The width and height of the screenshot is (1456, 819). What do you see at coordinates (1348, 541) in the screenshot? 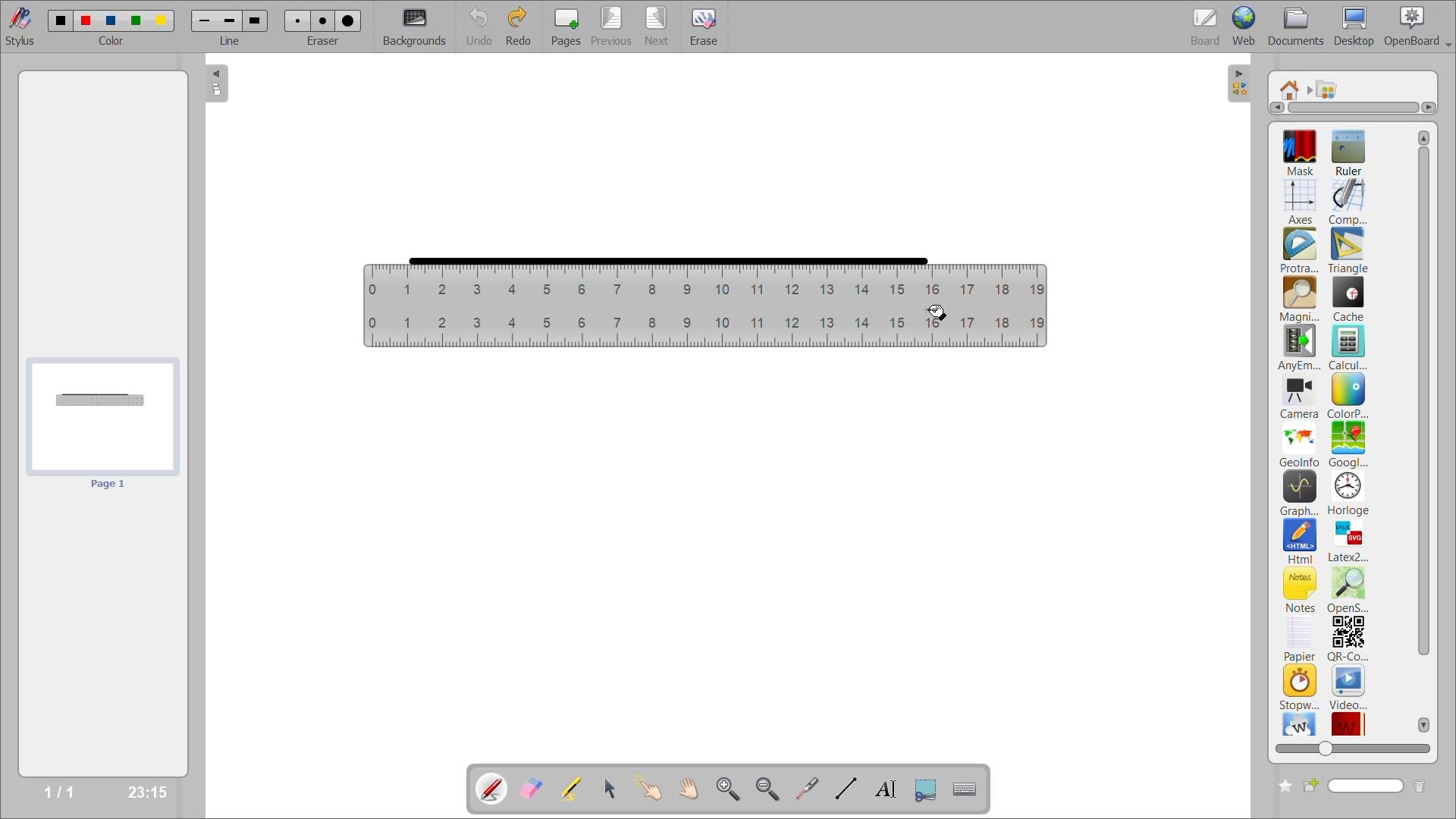
I see `latex2svg` at bounding box center [1348, 541].